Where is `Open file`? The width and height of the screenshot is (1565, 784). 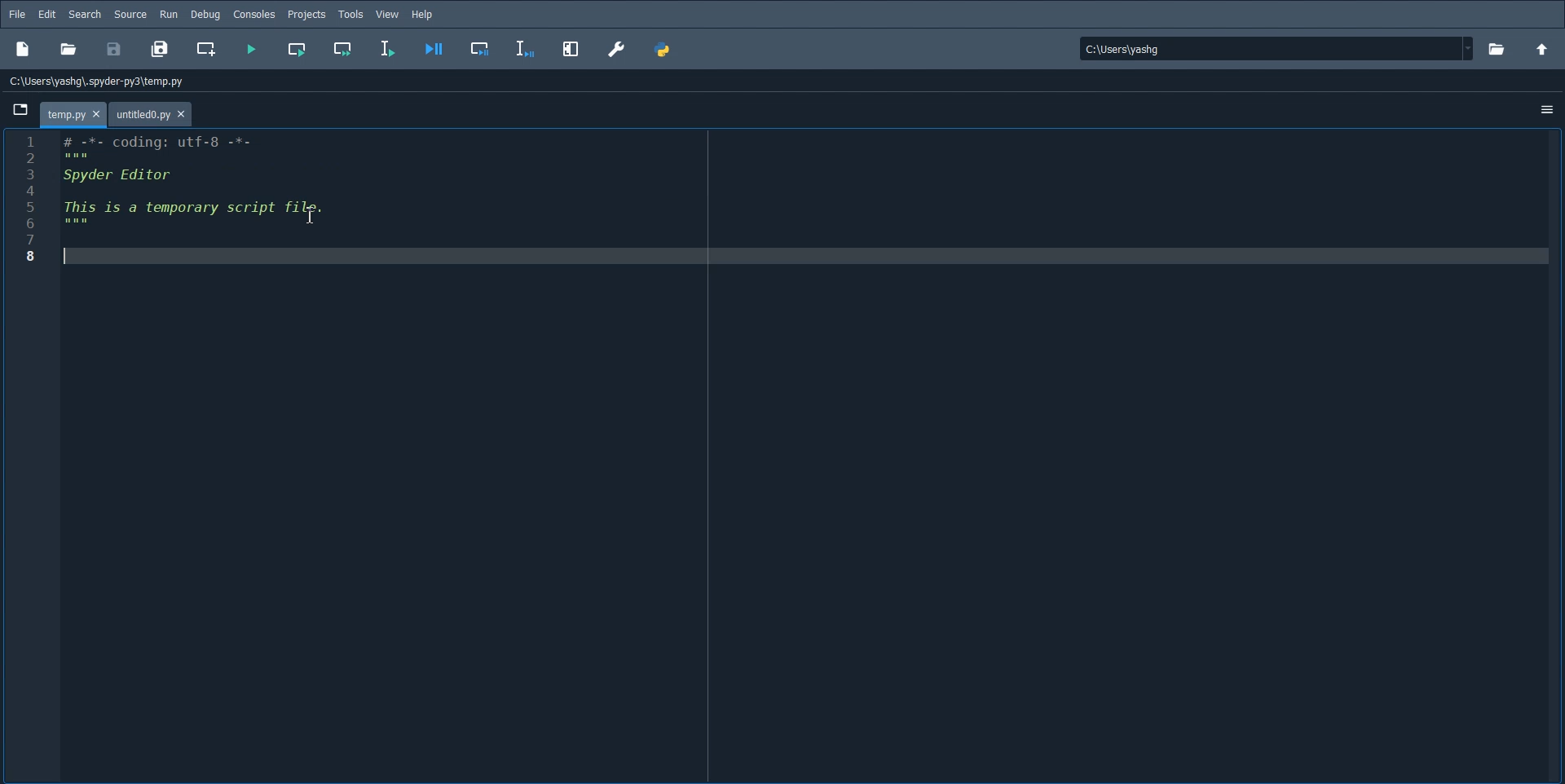
Open file is located at coordinates (68, 49).